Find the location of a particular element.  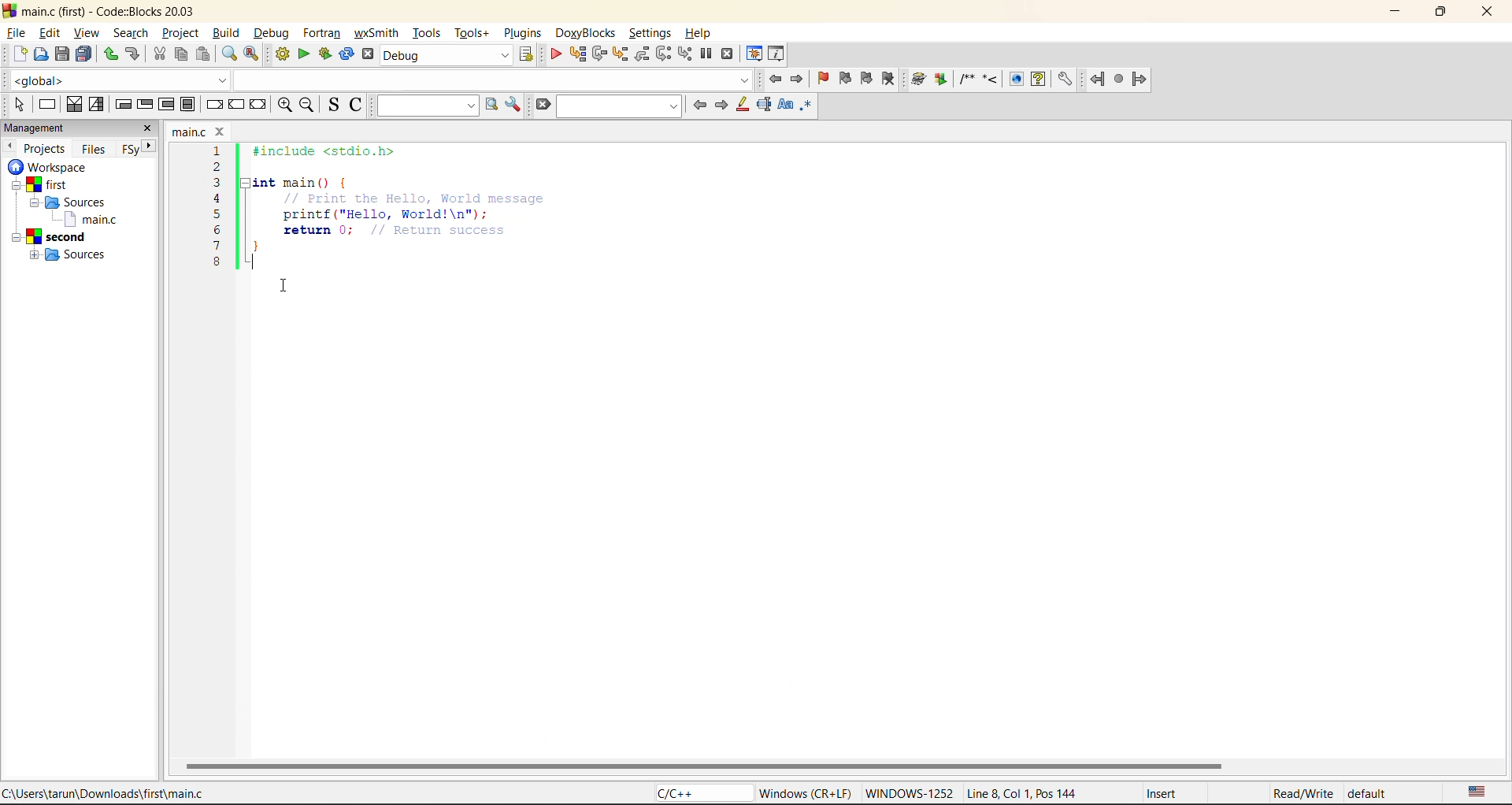

First is located at coordinates (50, 184).